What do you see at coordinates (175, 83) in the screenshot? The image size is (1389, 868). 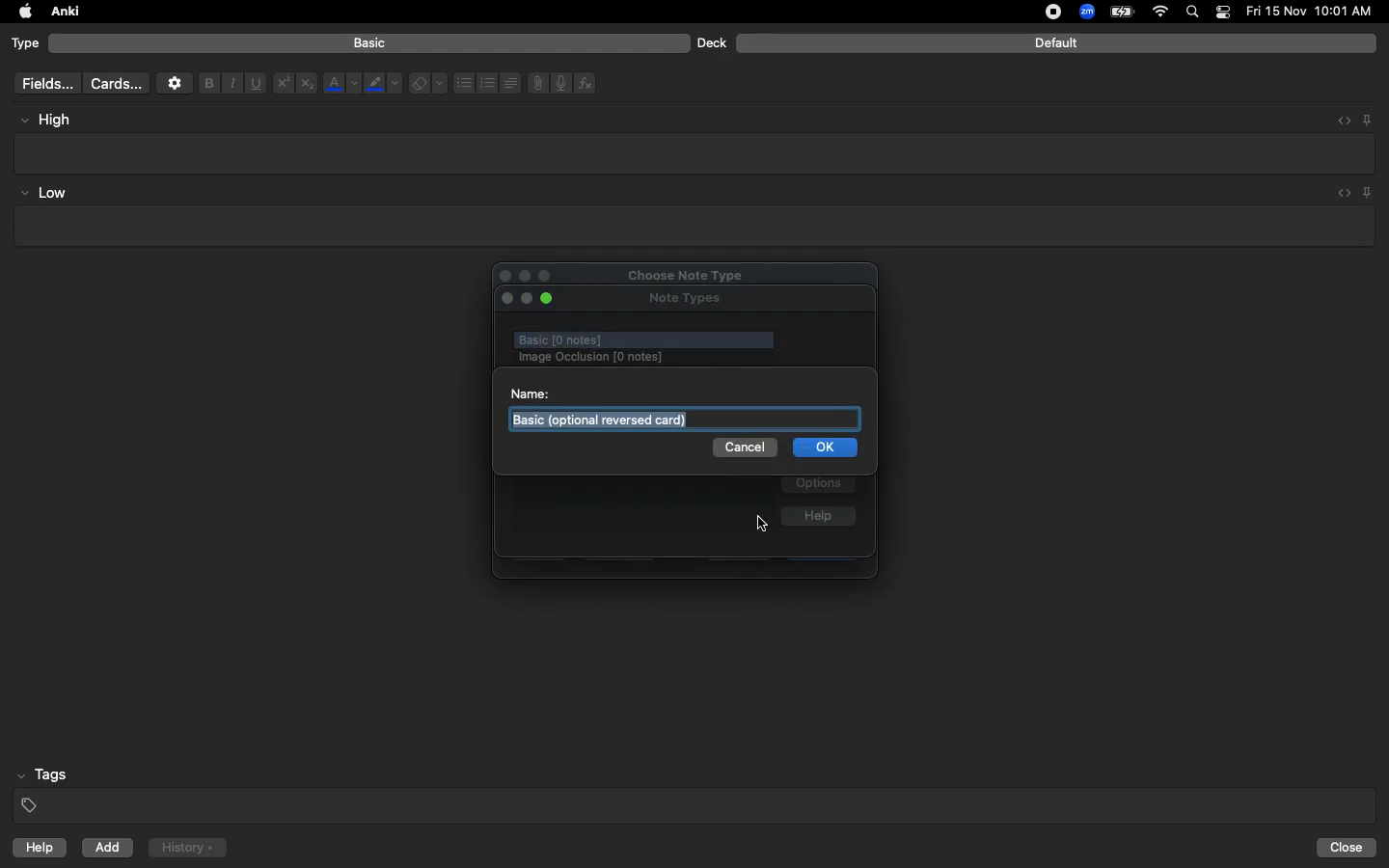 I see `Settings` at bounding box center [175, 83].